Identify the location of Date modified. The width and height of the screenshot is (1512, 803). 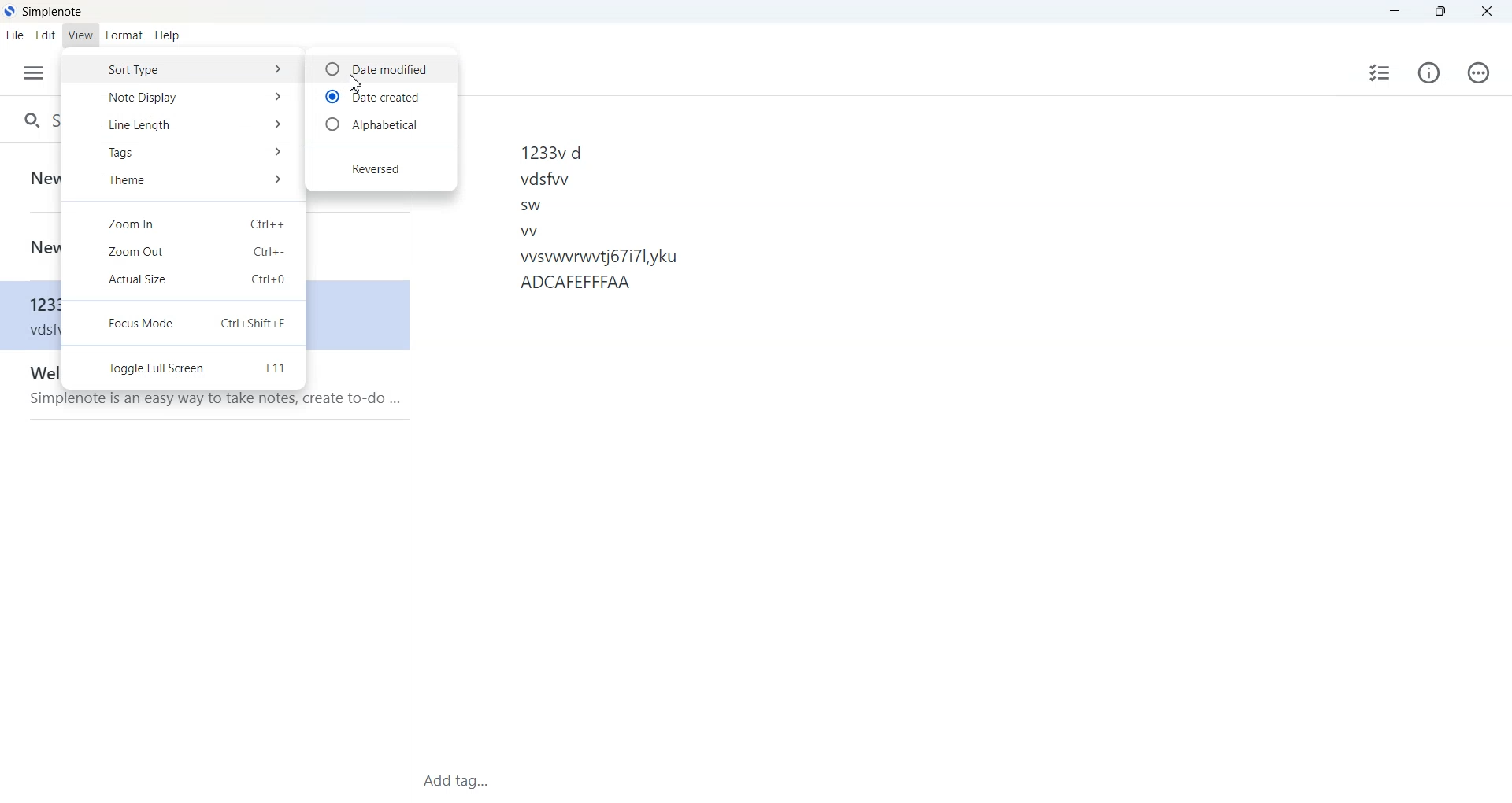
(380, 68).